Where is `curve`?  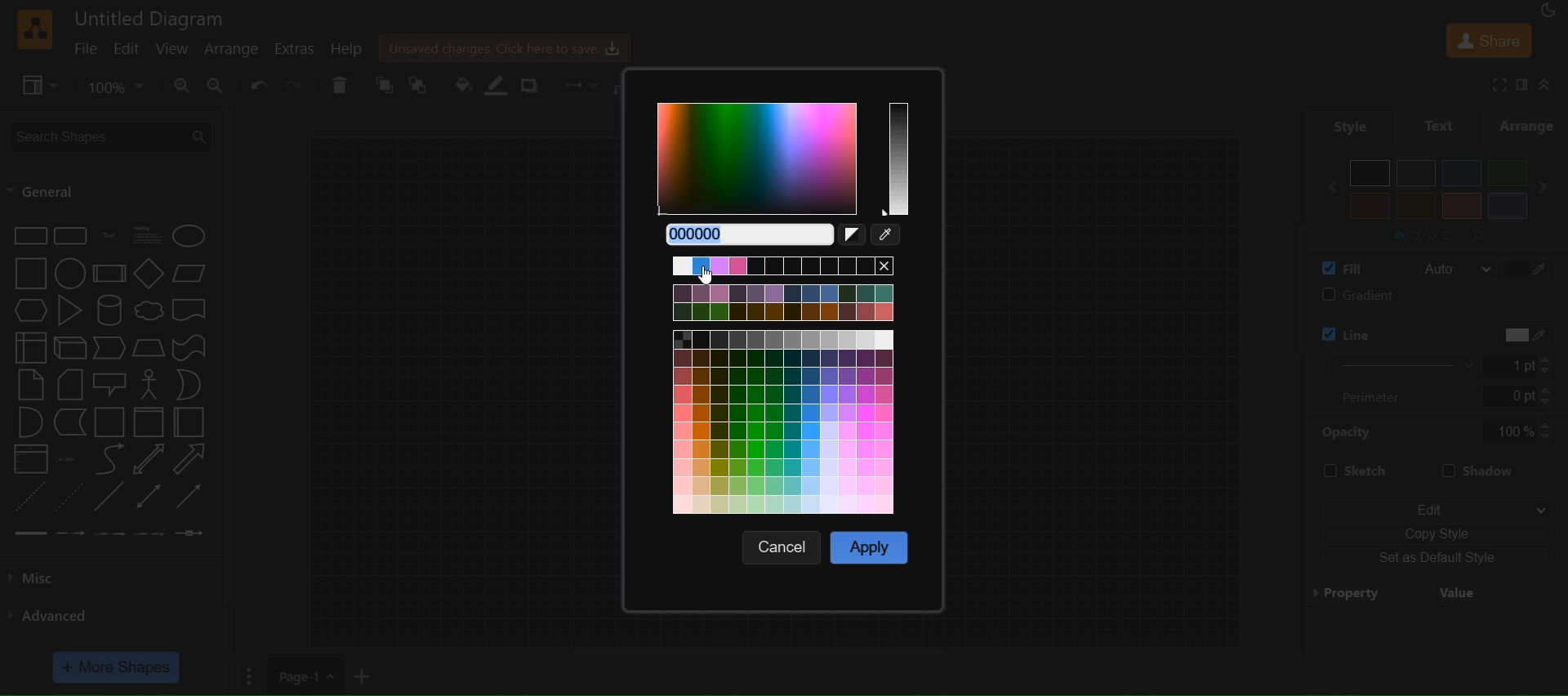
curve is located at coordinates (109, 461).